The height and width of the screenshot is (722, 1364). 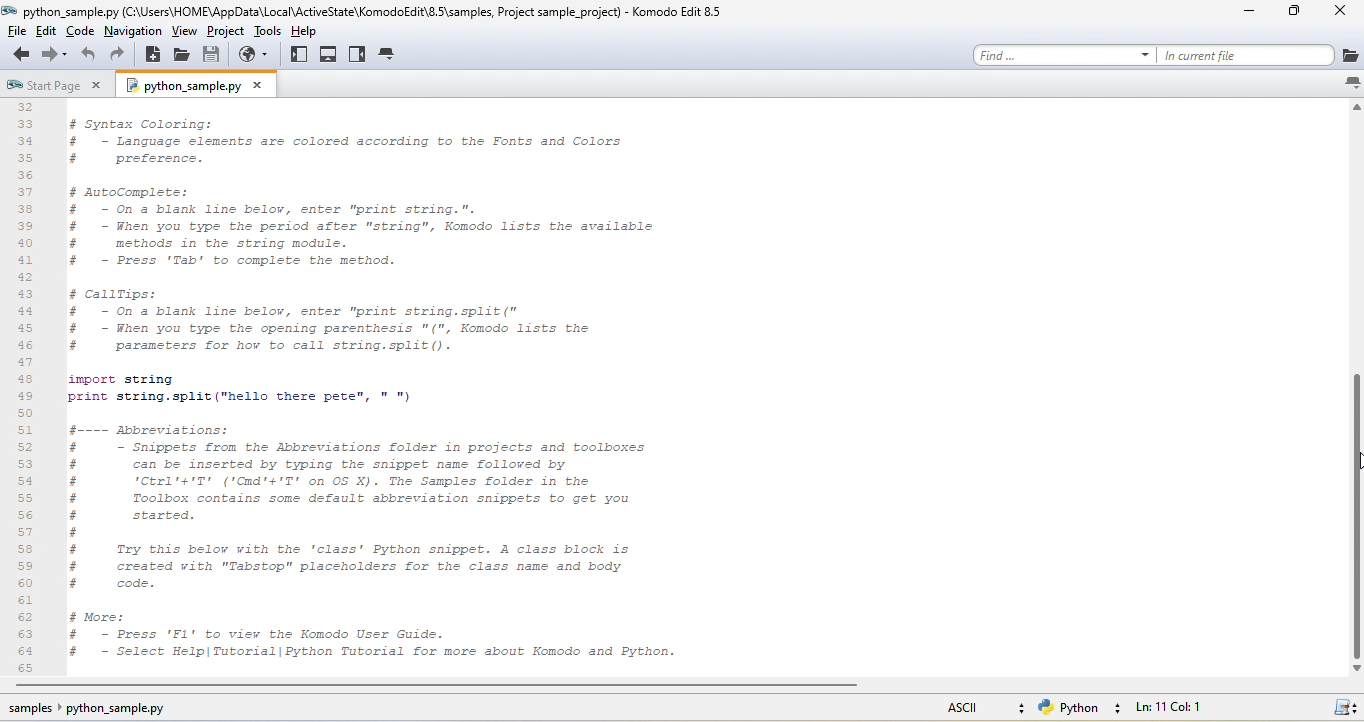 What do you see at coordinates (82, 32) in the screenshot?
I see `code` at bounding box center [82, 32].